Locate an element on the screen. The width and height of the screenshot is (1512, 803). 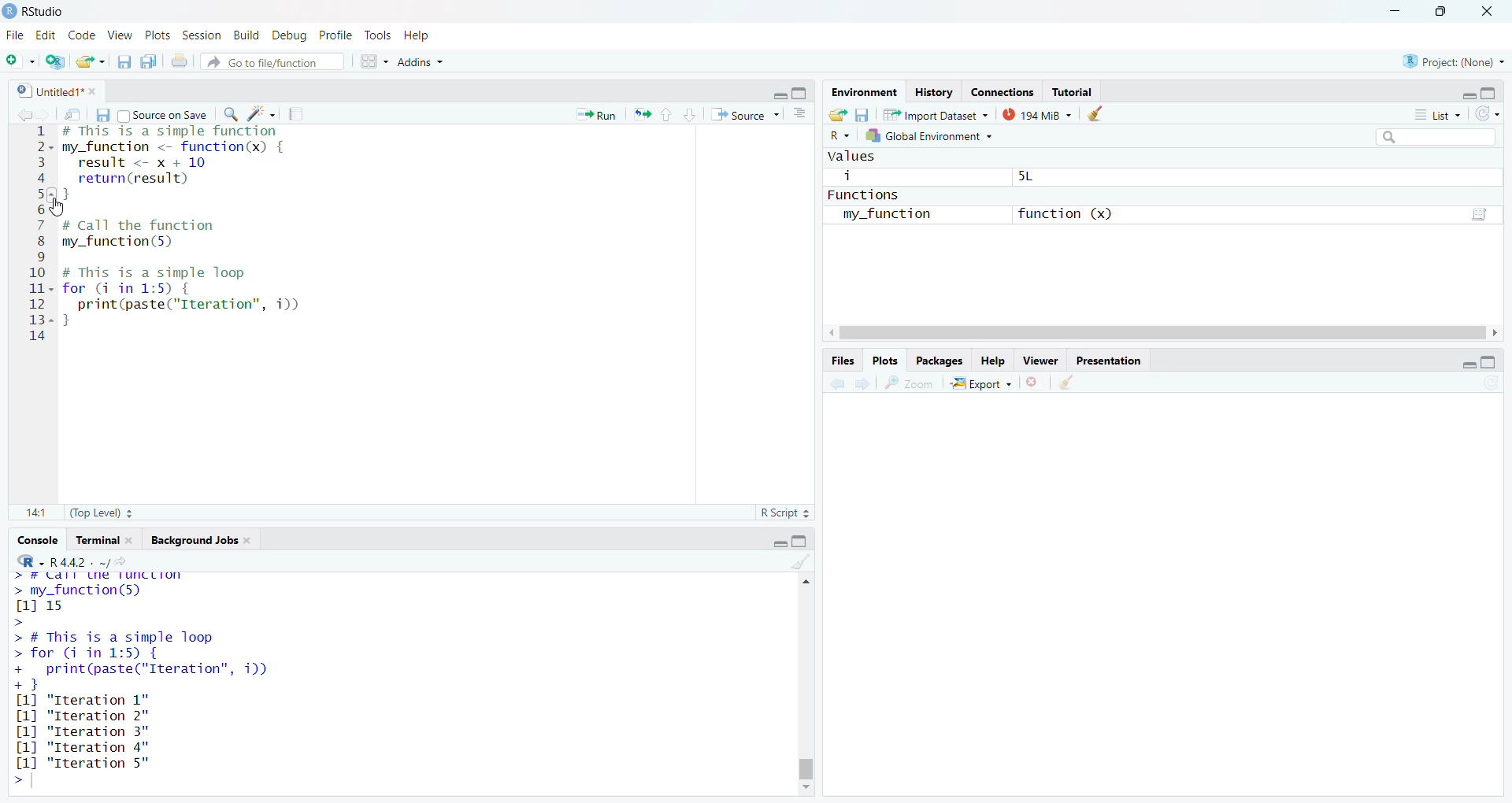
maximize is located at coordinates (1497, 363).